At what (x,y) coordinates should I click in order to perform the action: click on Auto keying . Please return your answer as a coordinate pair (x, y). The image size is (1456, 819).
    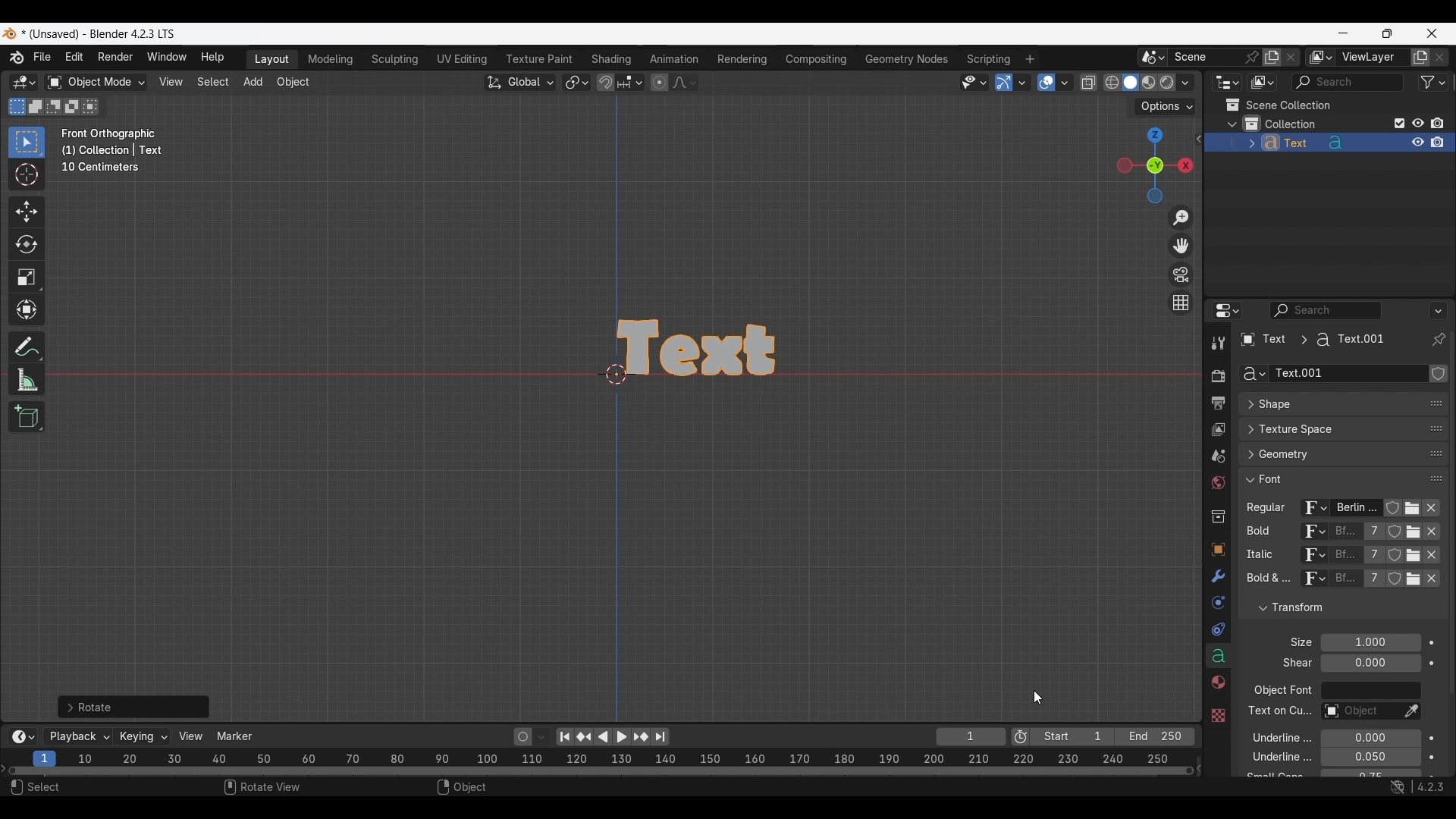
    Looking at the image, I should click on (523, 737).